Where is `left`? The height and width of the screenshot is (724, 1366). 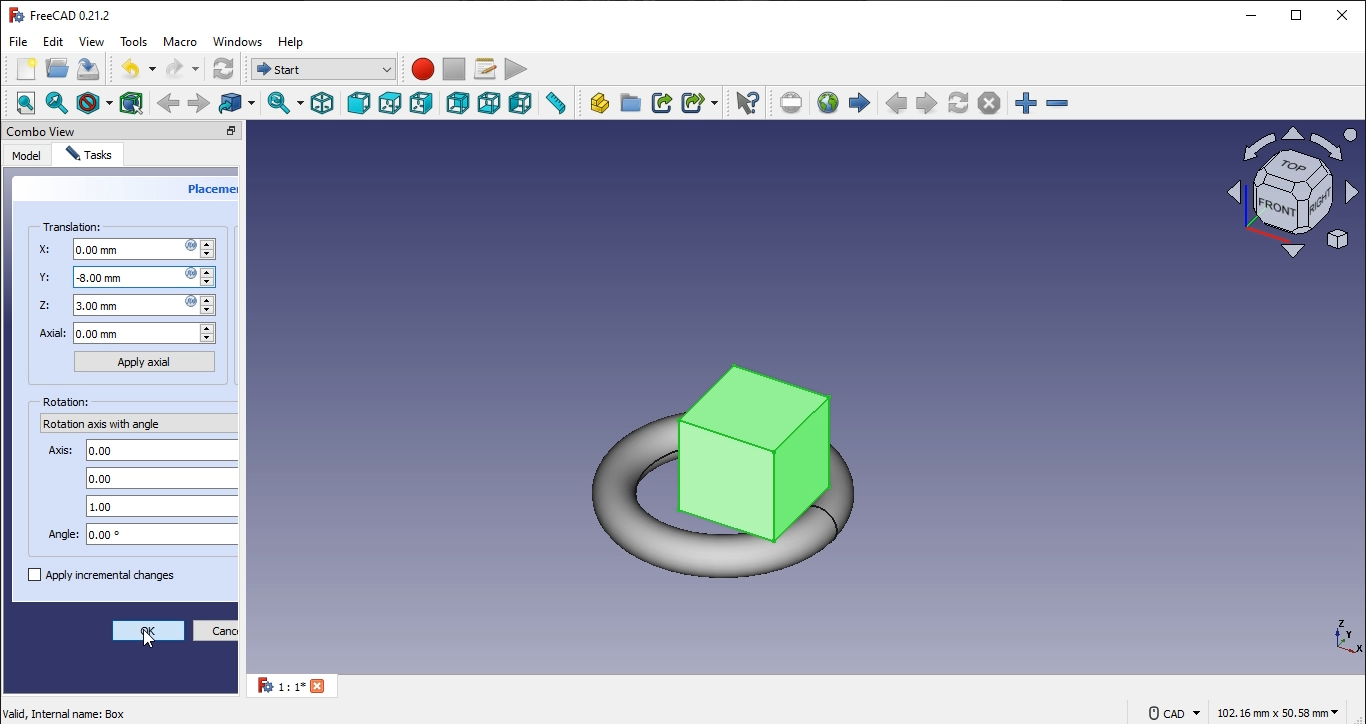
left is located at coordinates (521, 103).